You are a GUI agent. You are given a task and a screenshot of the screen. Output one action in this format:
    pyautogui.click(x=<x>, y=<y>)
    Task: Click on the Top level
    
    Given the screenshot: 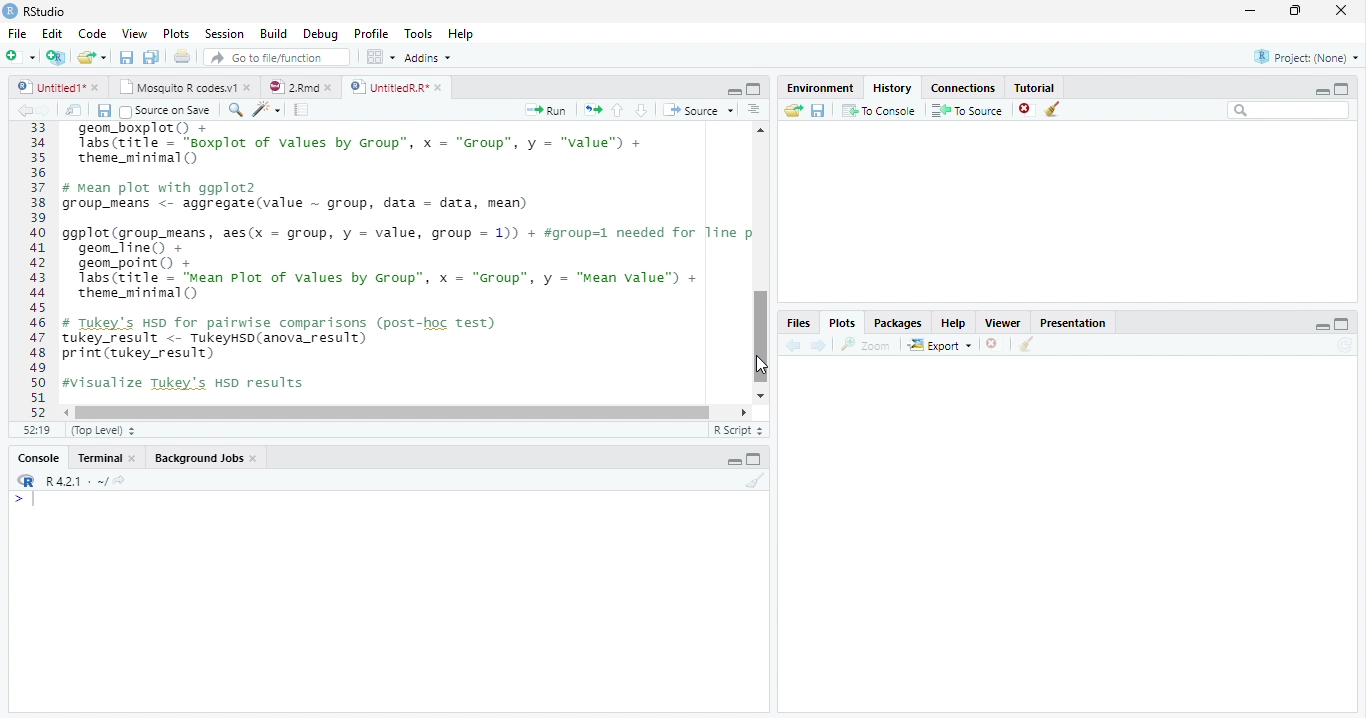 What is the action you would take?
    pyautogui.click(x=106, y=431)
    